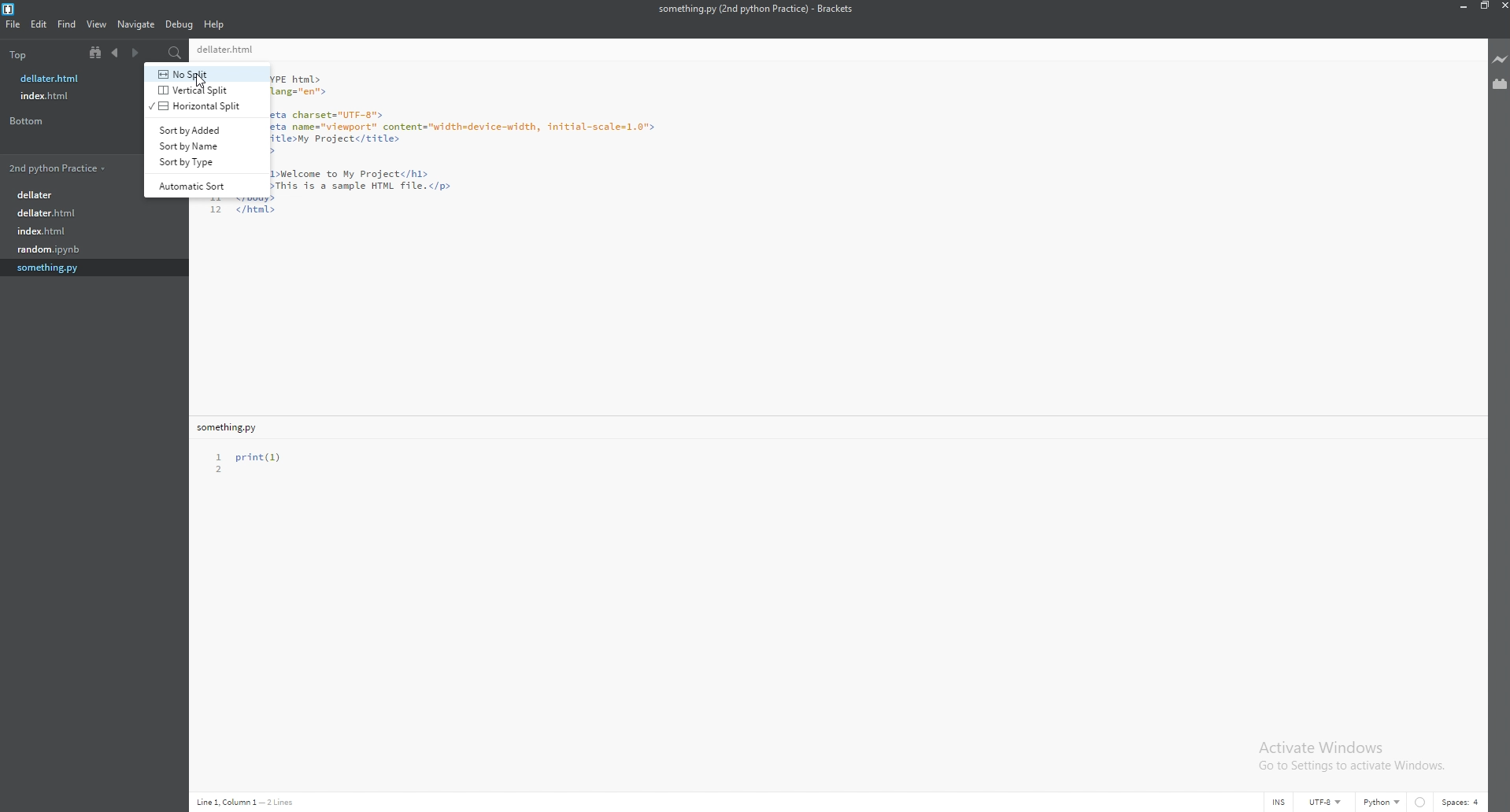  What do you see at coordinates (1326, 803) in the screenshot?
I see `encoding` at bounding box center [1326, 803].